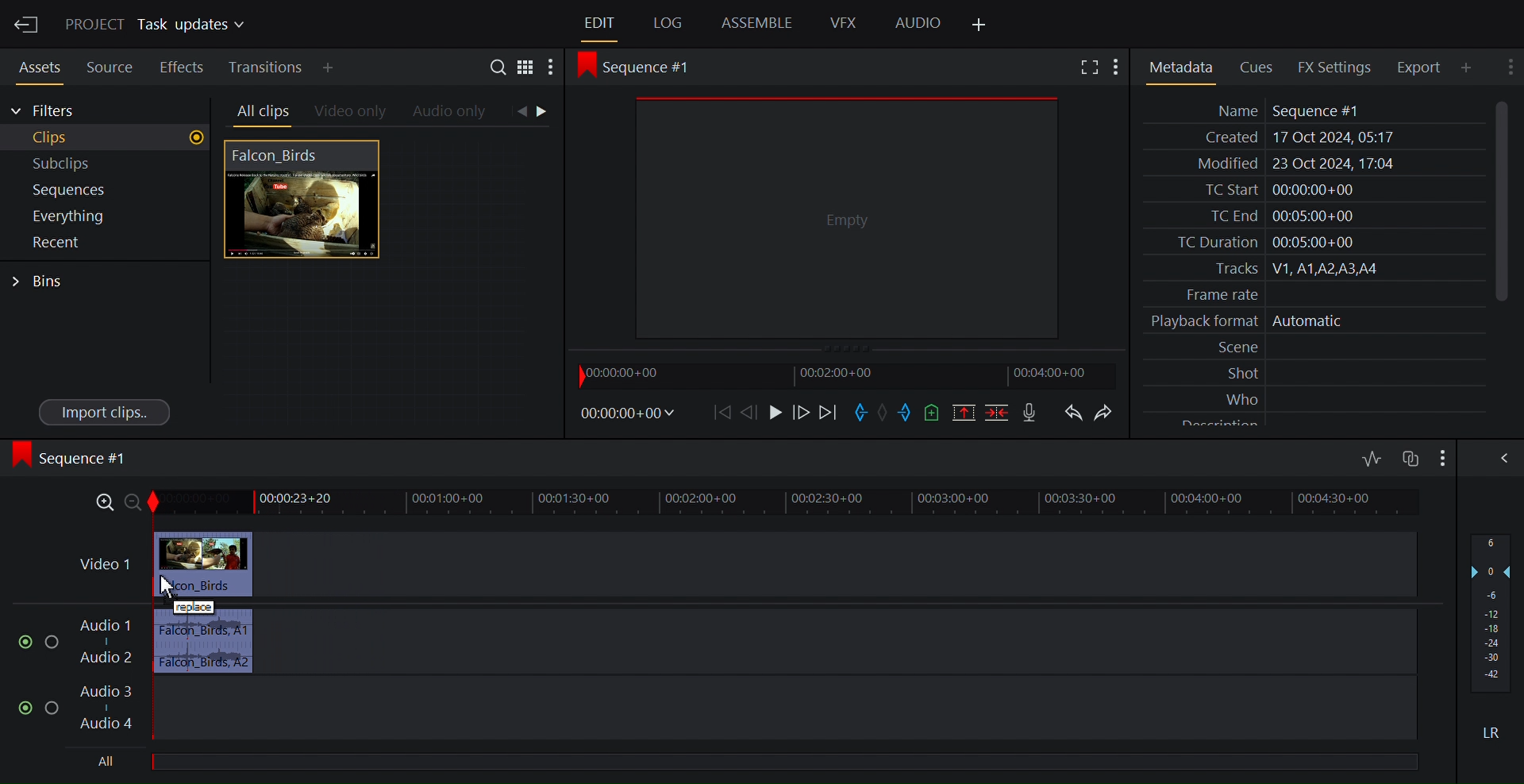 The height and width of the screenshot is (784, 1524). I want to click on Name, so click(1312, 110).